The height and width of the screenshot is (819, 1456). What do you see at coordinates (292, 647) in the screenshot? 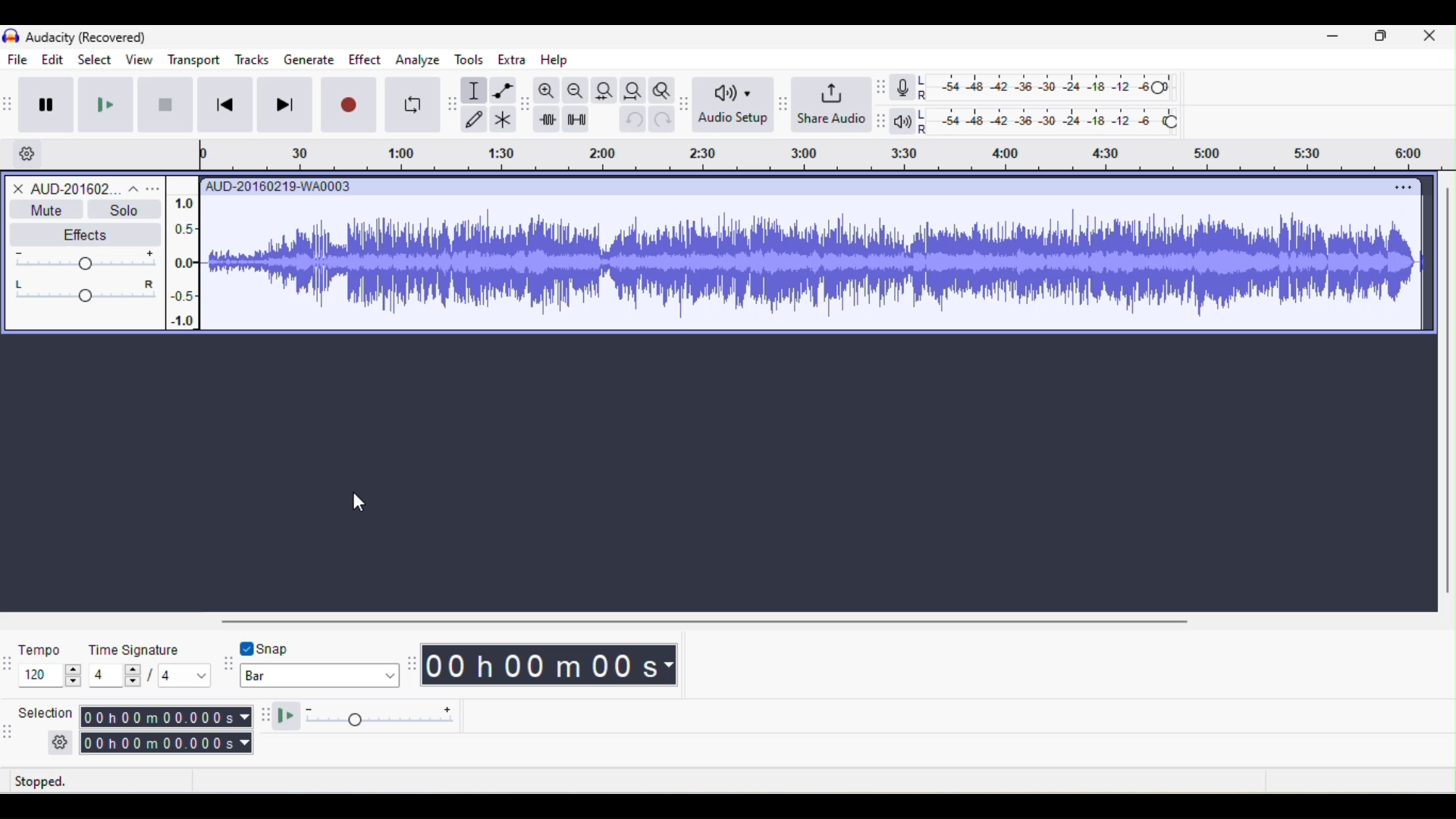
I see `snap` at bounding box center [292, 647].